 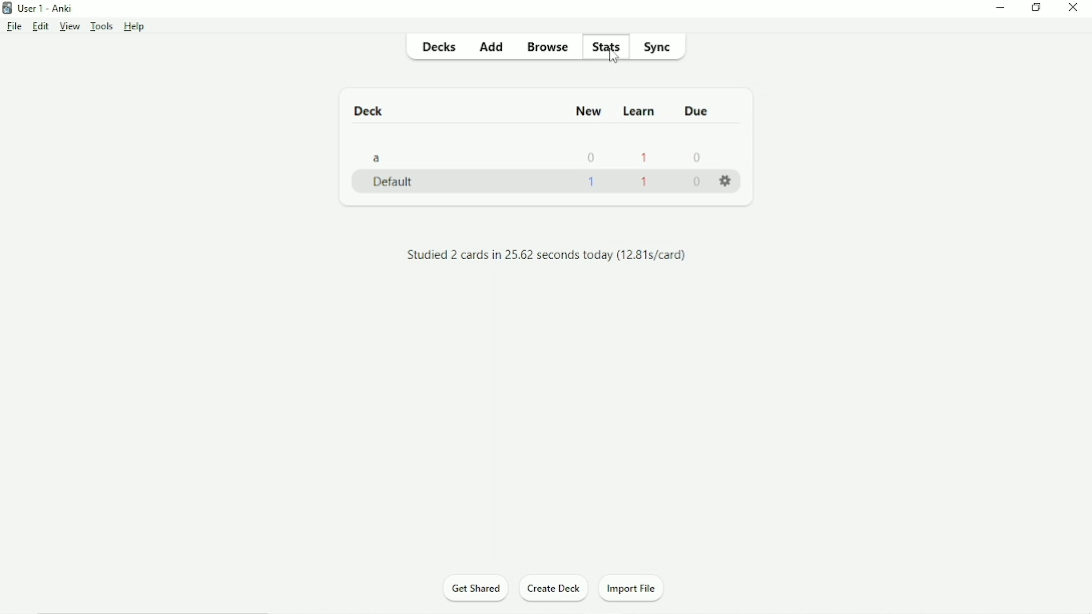 I want to click on Default, so click(x=386, y=181).